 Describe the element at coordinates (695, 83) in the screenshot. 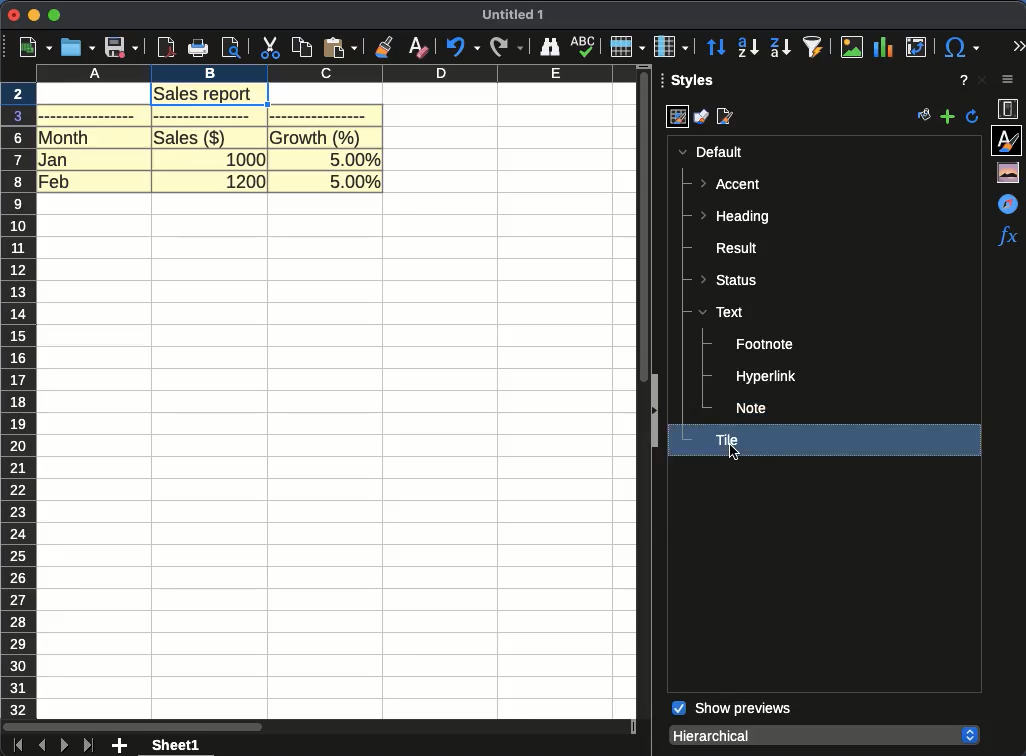

I see `styles` at that location.